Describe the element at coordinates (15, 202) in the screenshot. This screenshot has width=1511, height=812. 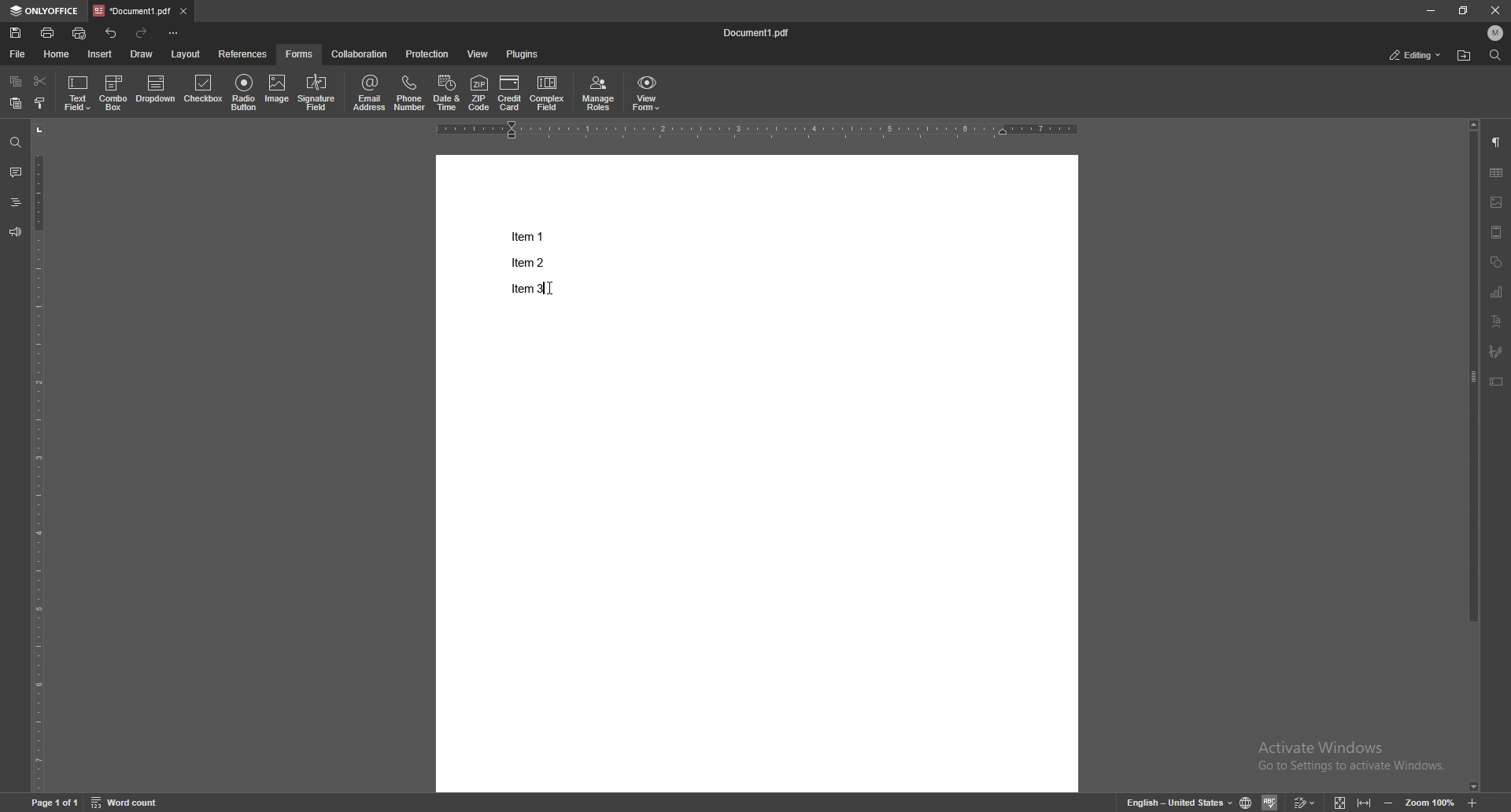
I see `heading` at that location.